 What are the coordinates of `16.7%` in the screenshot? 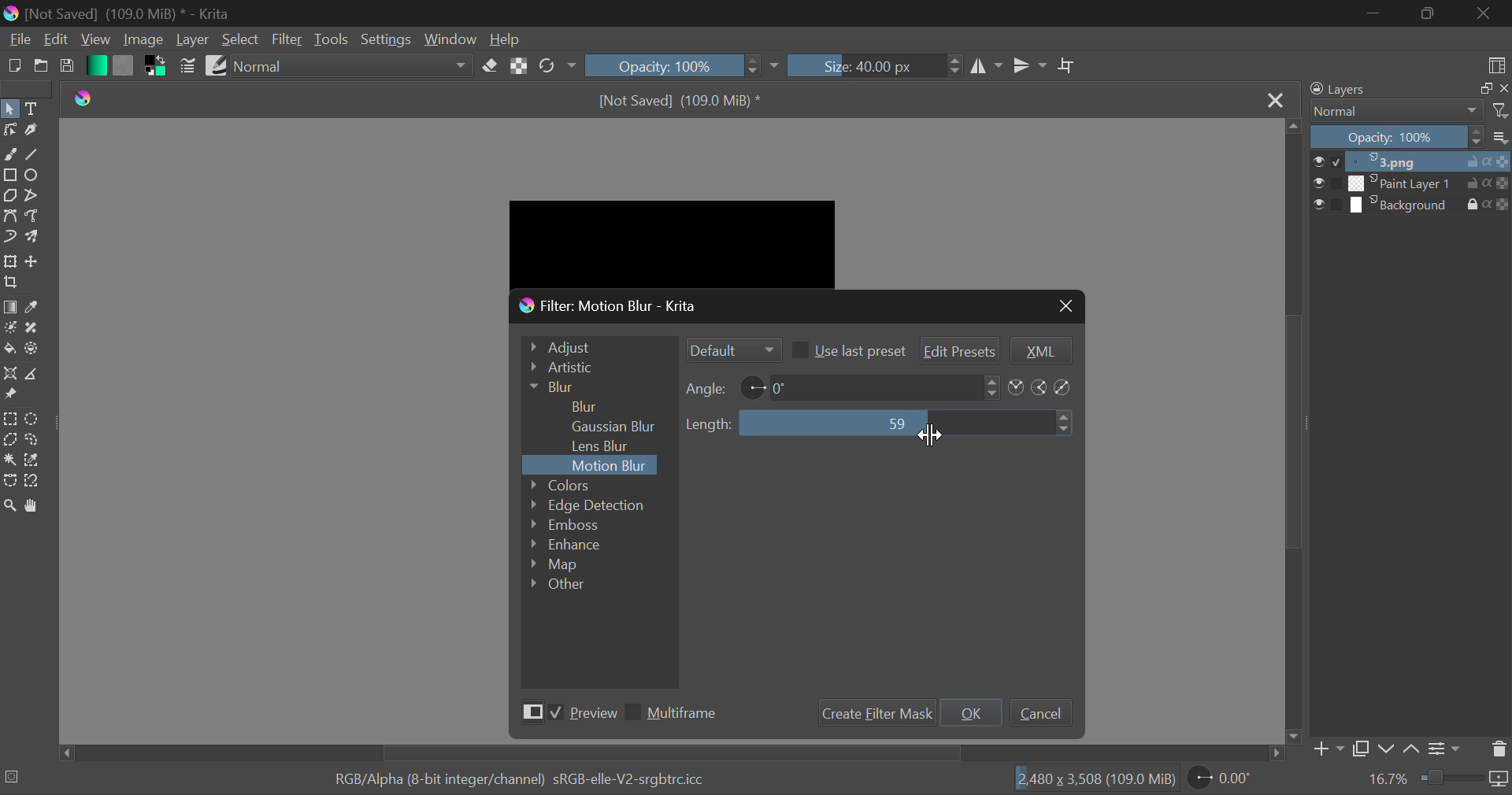 It's located at (1388, 779).